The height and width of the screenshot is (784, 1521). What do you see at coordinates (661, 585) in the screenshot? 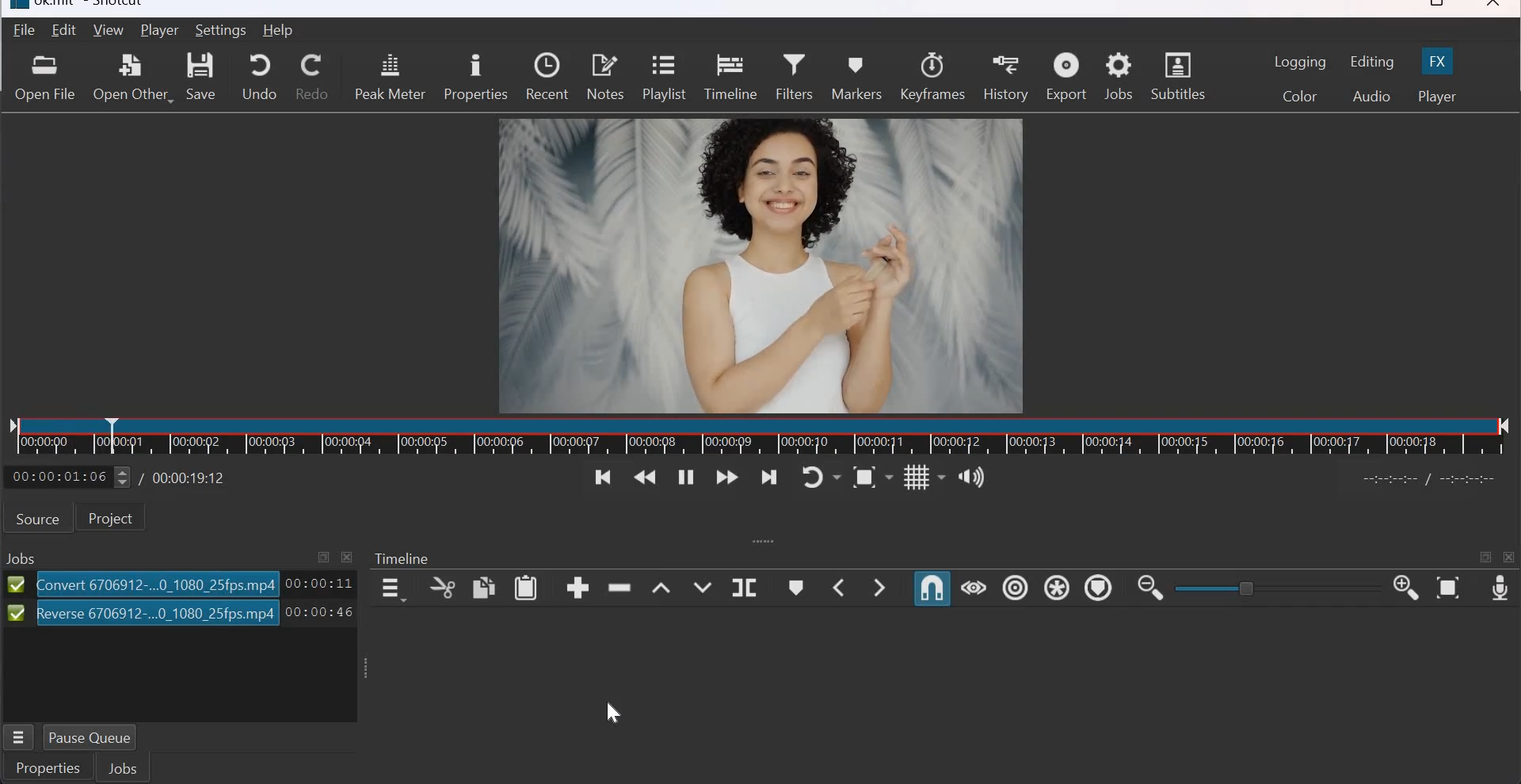
I see `lift` at bounding box center [661, 585].